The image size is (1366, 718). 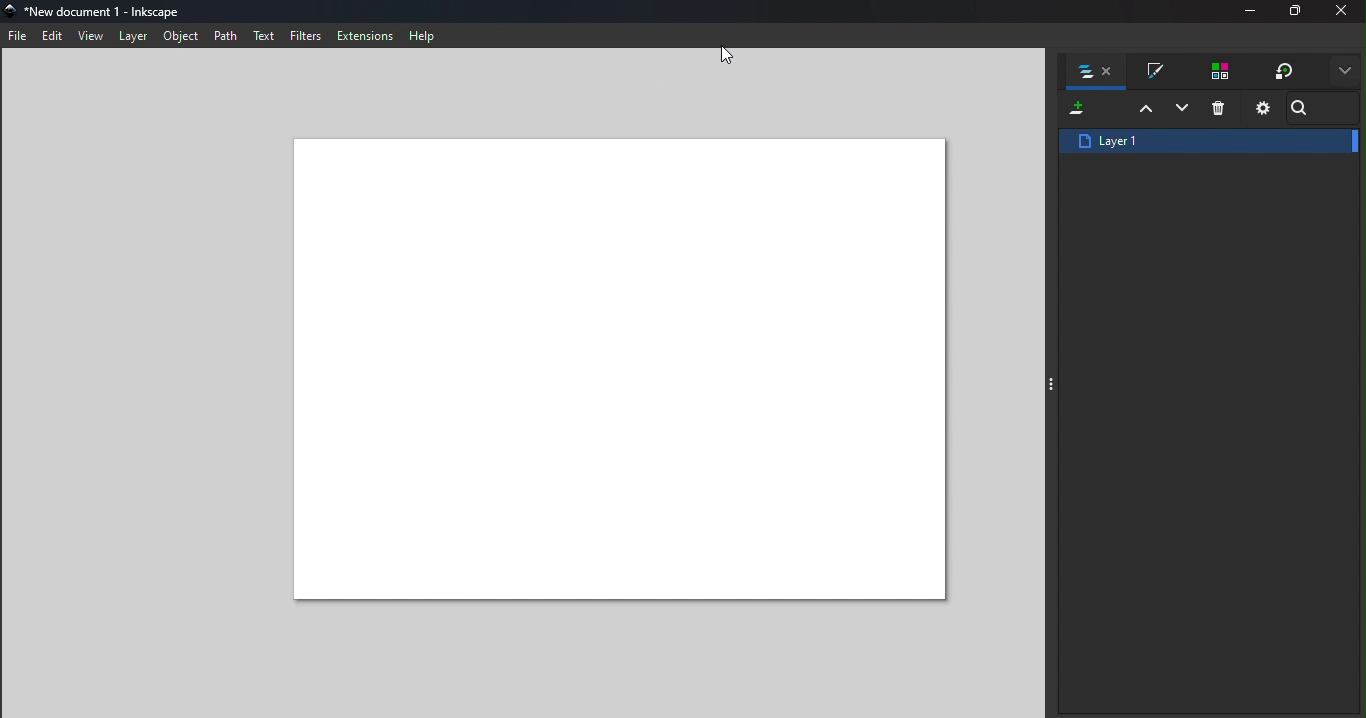 What do you see at coordinates (619, 373) in the screenshot?
I see `Canvas` at bounding box center [619, 373].